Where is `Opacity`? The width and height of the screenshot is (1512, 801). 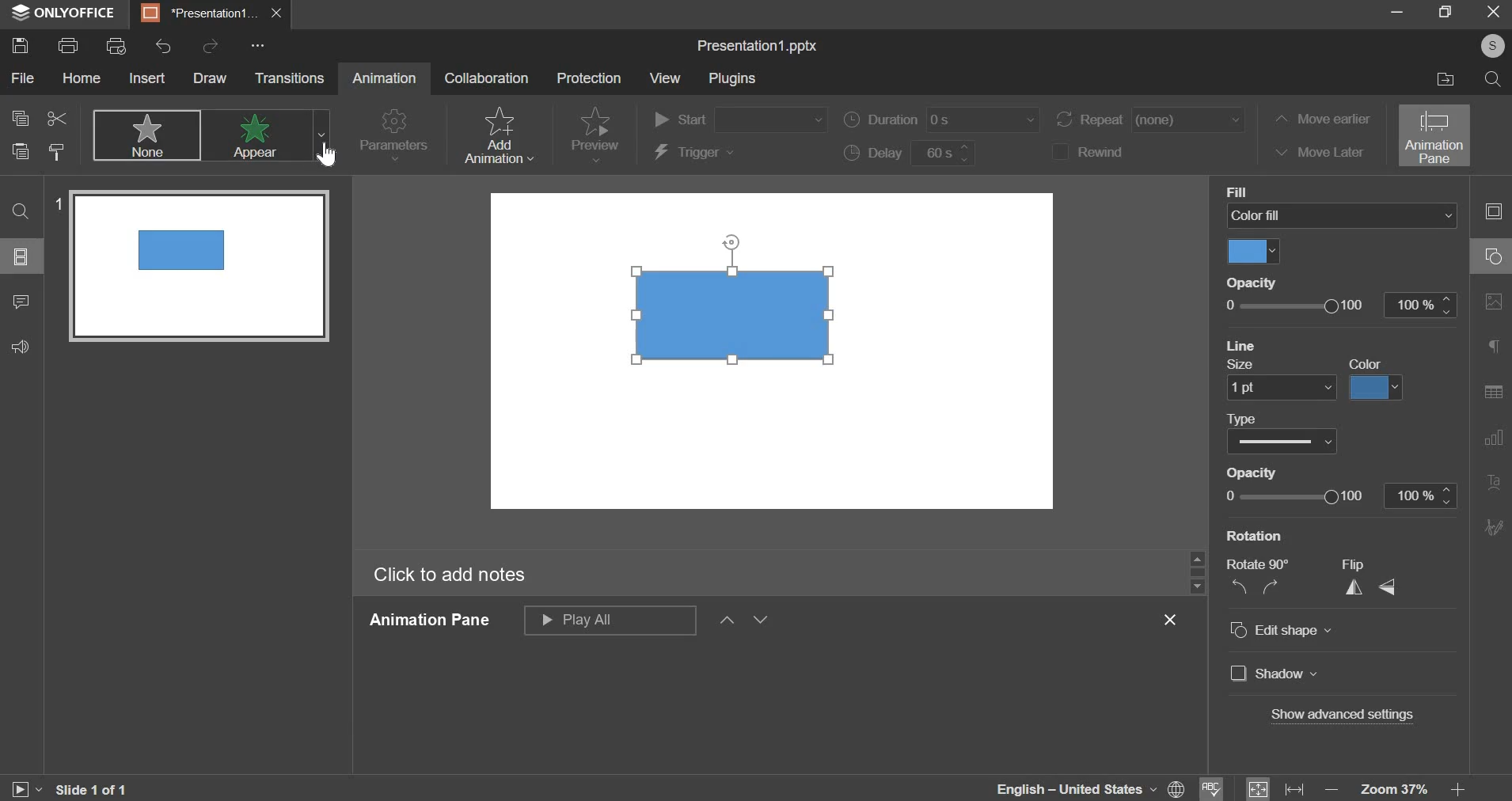
Opacity is located at coordinates (1256, 279).